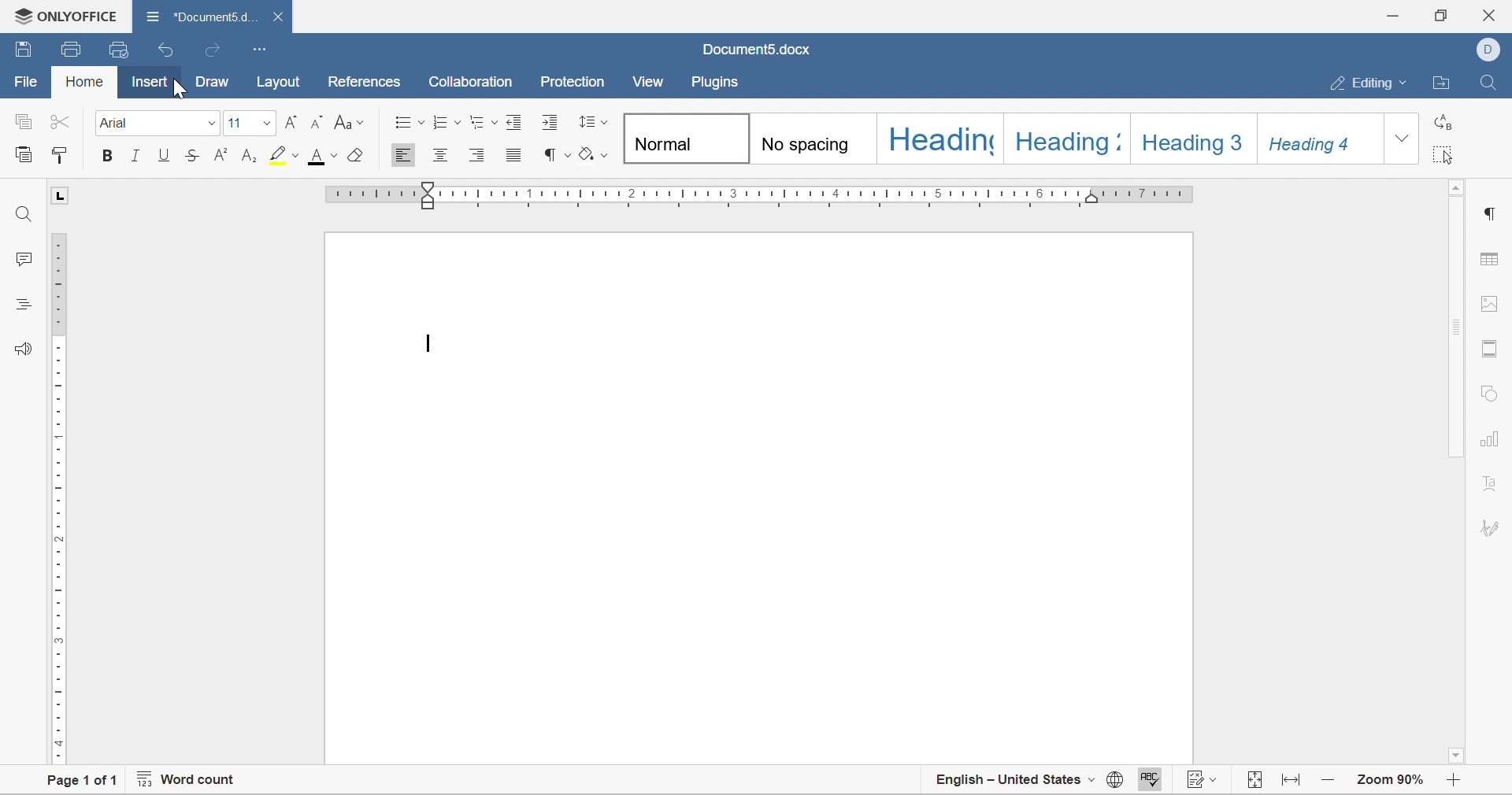 This screenshot has width=1512, height=795. What do you see at coordinates (1491, 352) in the screenshot?
I see `header and footer settings` at bounding box center [1491, 352].